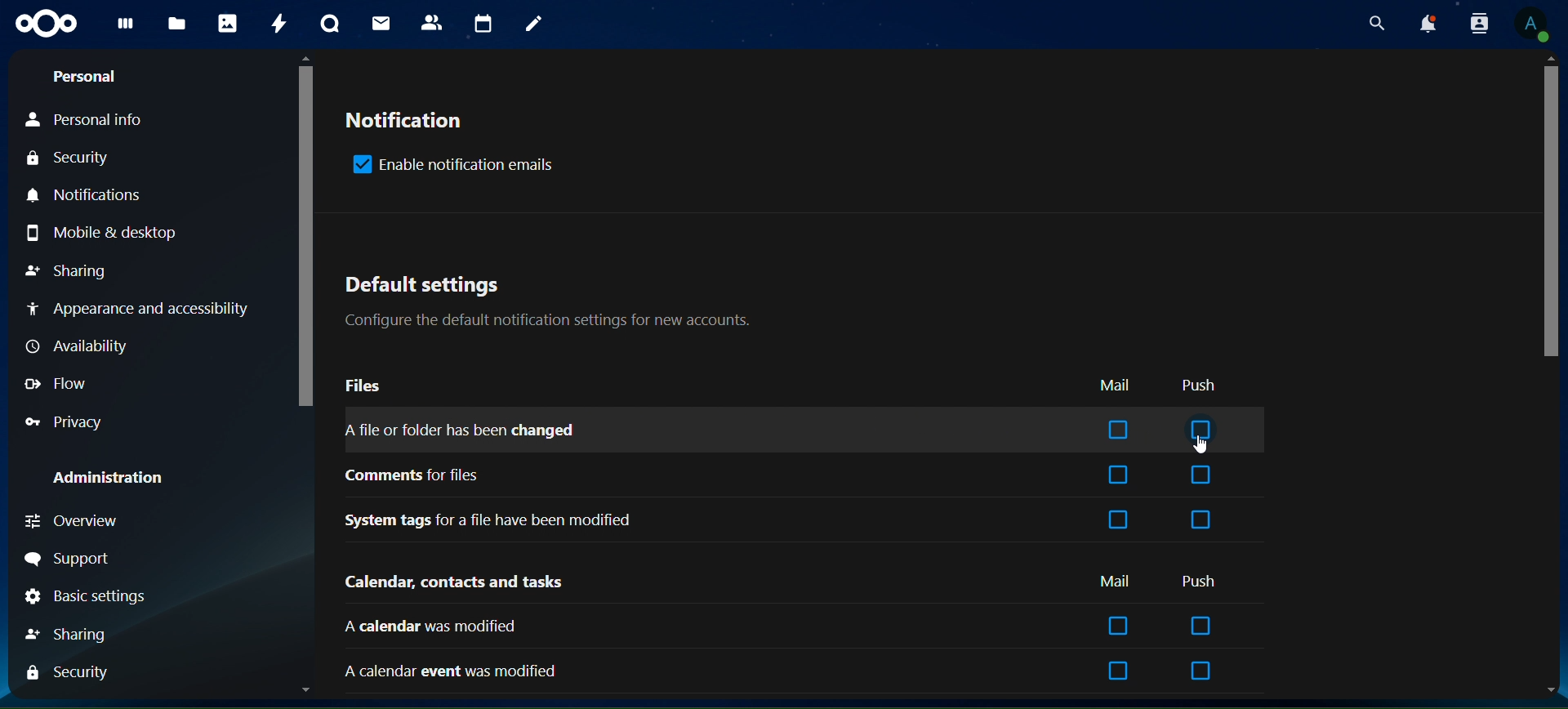 The height and width of the screenshot is (709, 1568). What do you see at coordinates (466, 431) in the screenshot?
I see `a file or folder has been changed` at bounding box center [466, 431].